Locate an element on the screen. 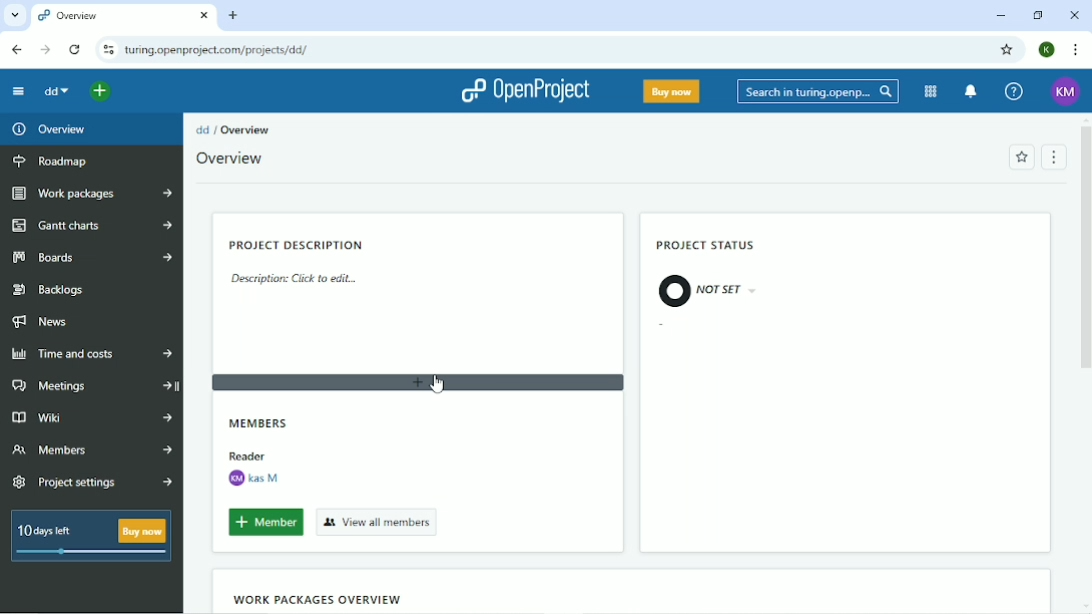 The image size is (1092, 614). Site is located at coordinates (219, 50).